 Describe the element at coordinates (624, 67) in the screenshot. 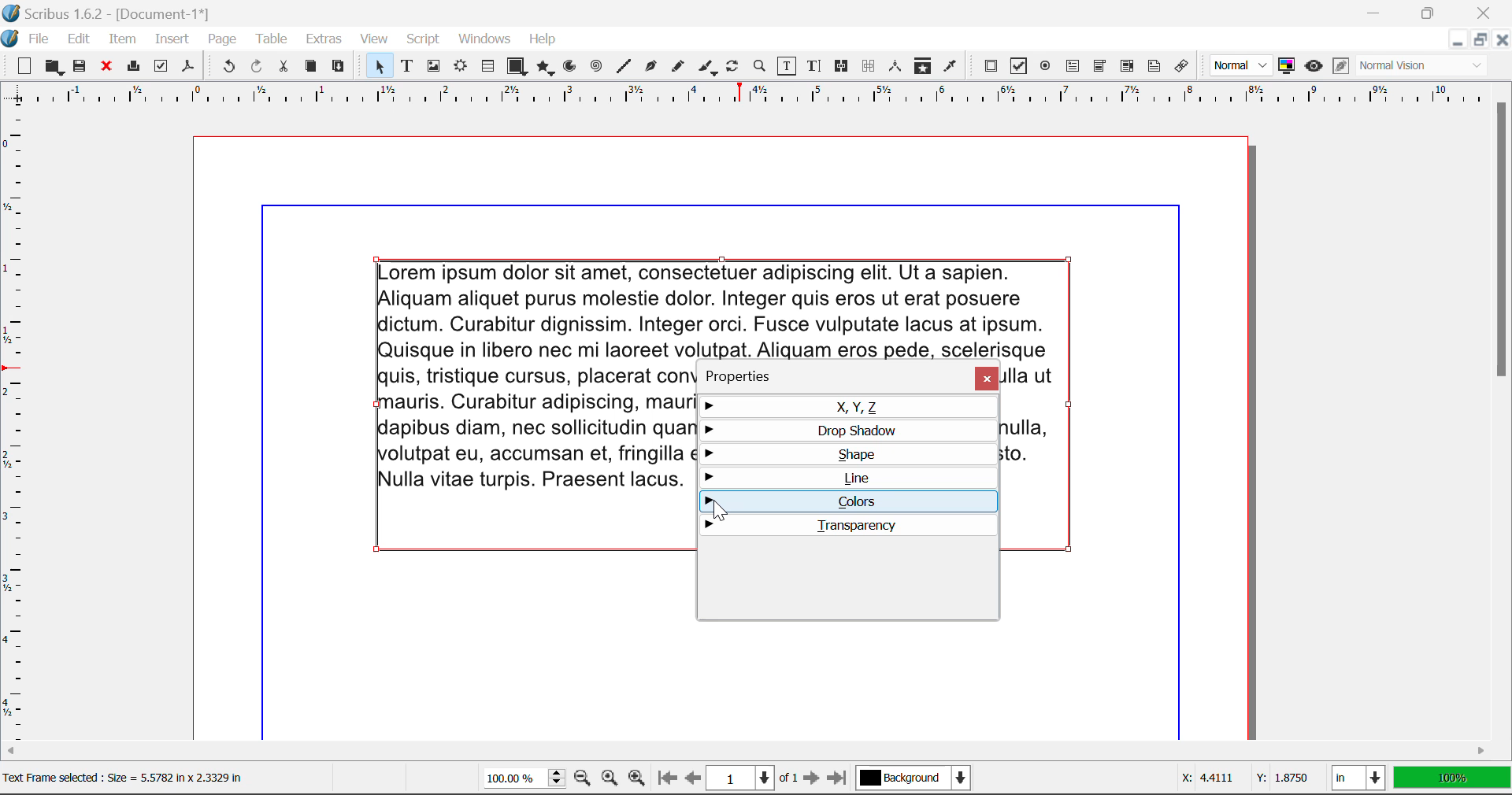

I see `Line` at that location.